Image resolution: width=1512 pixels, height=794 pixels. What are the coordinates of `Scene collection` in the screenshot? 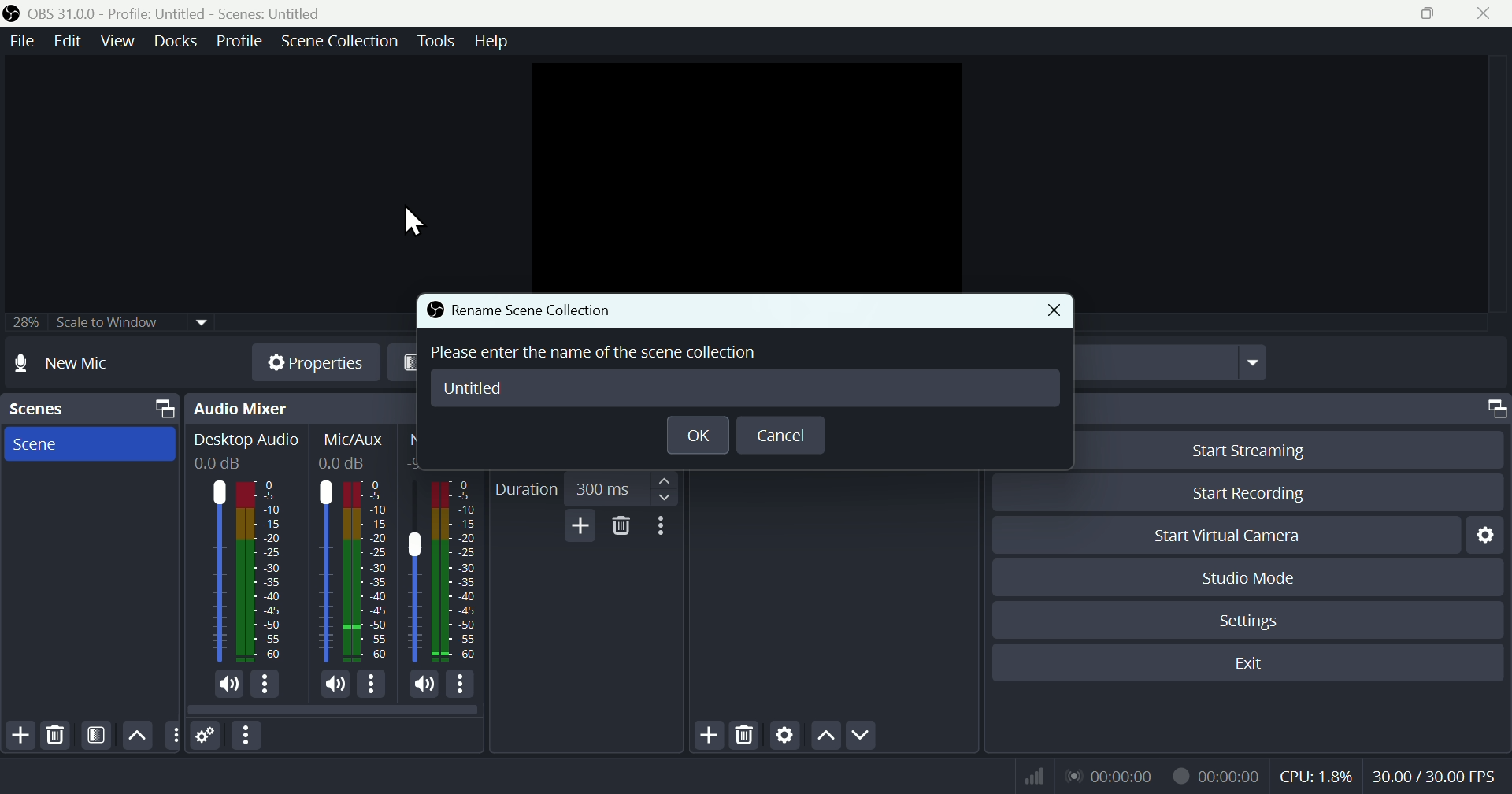 It's located at (343, 42).